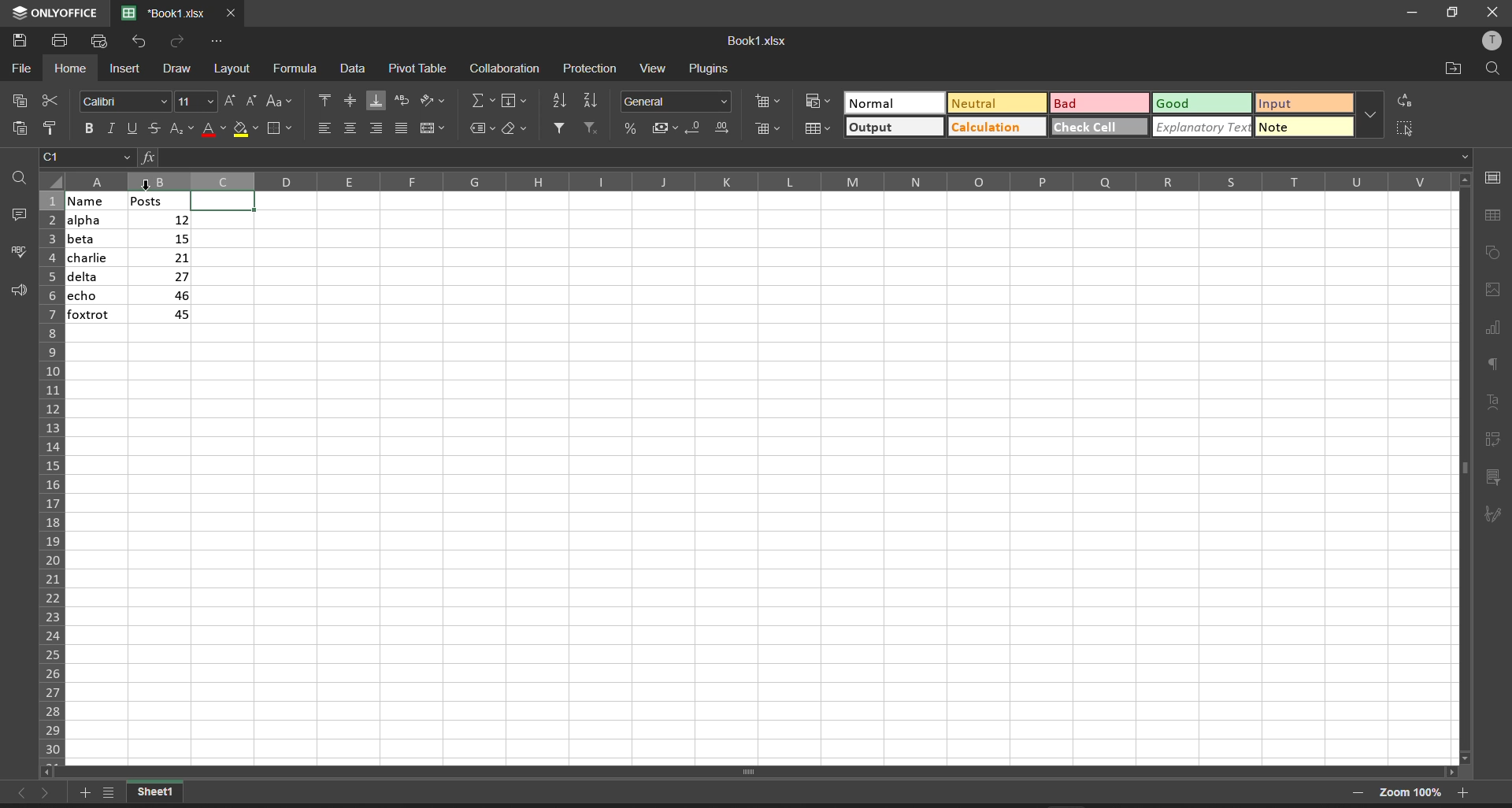 The width and height of the screenshot is (1512, 808). I want to click on chart settings, so click(1497, 329).